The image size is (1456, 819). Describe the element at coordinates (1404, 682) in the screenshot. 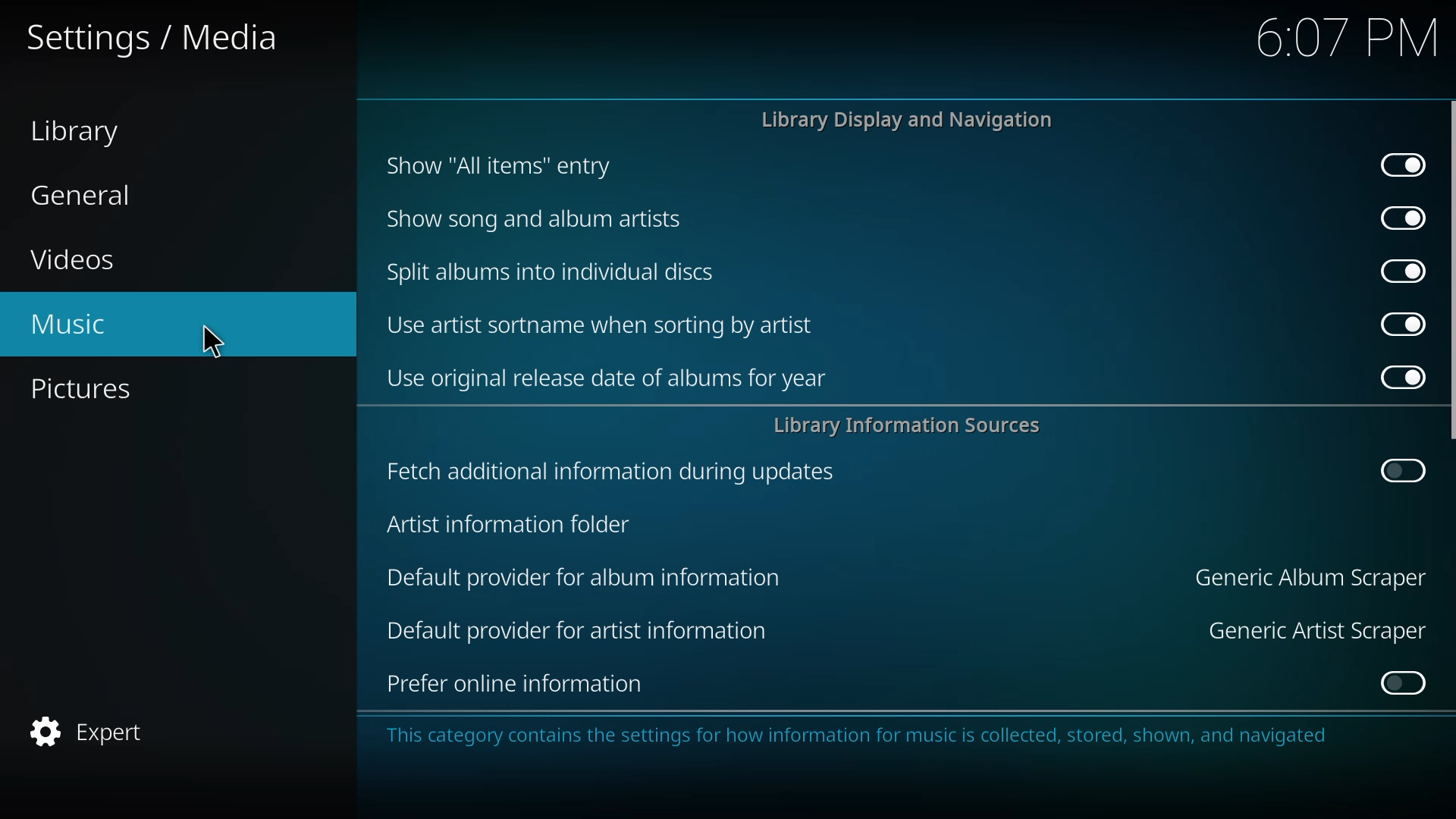

I see `click to enable` at that location.